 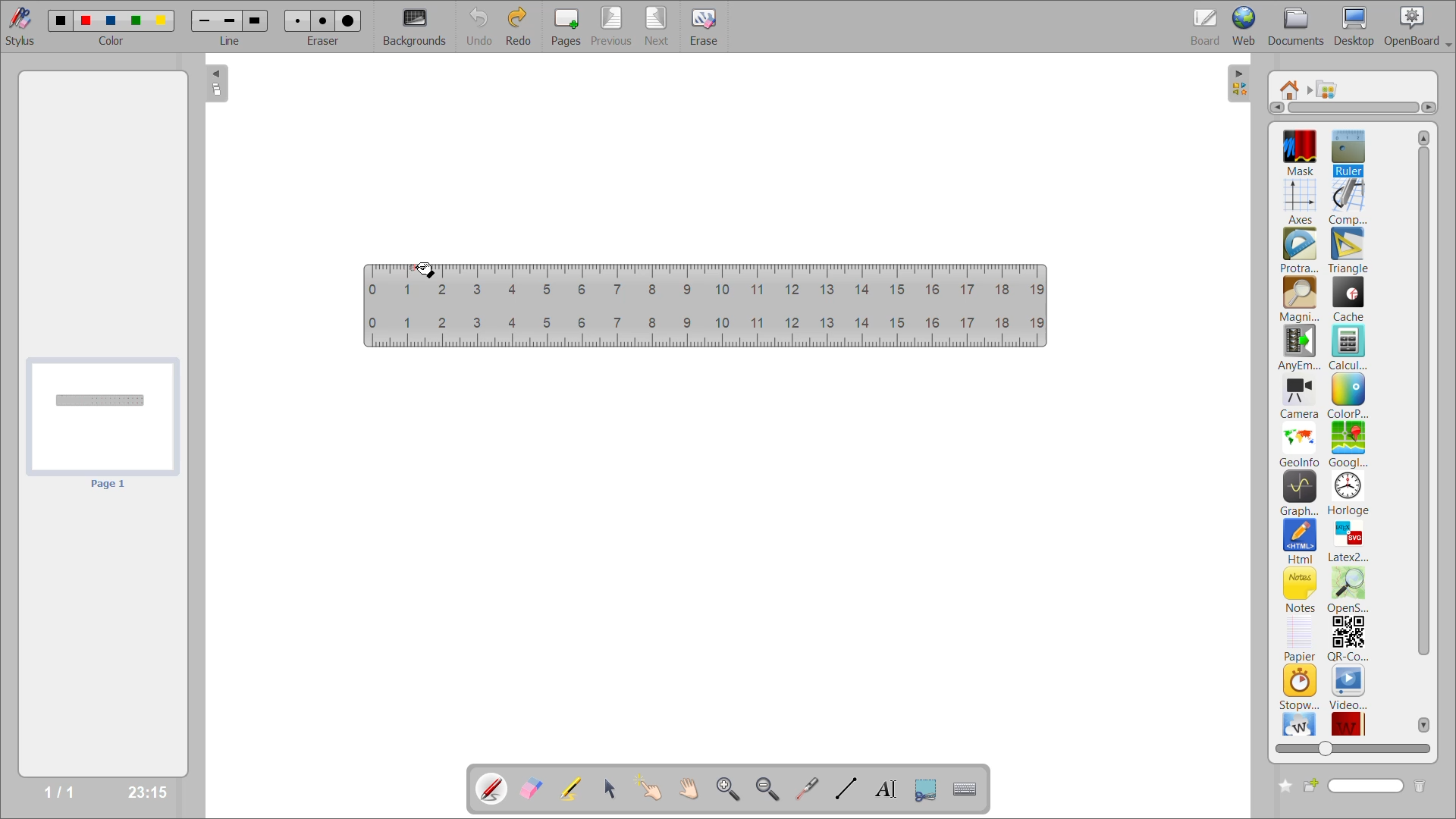 What do you see at coordinates (1298, 27) in the screenshot?
I see `documents` at bounding box center [1298, 27].